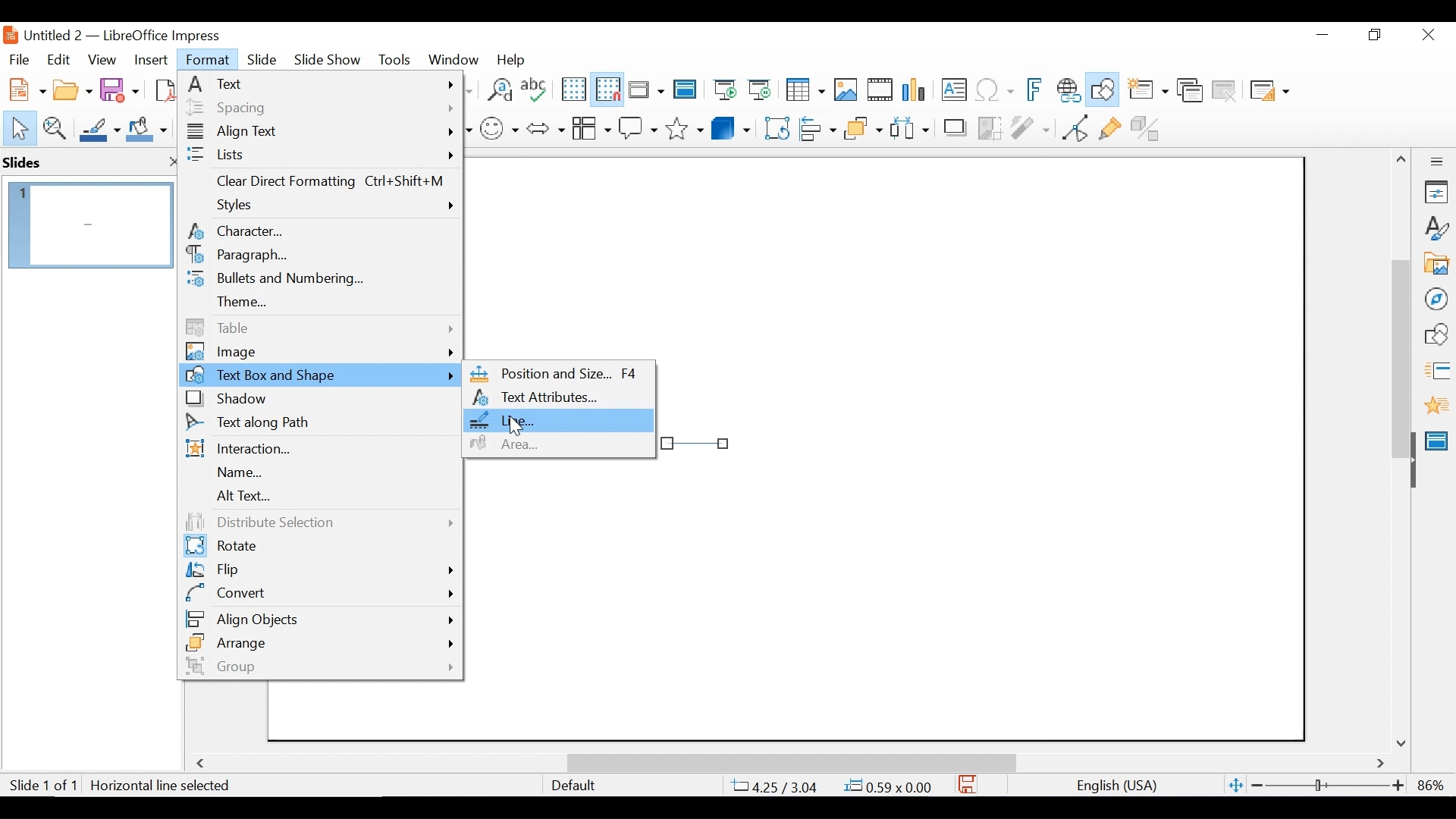  What do you see at coordinates (322, 207) in the screenshot?
I see `Styles` at bounding box center [322, 207].